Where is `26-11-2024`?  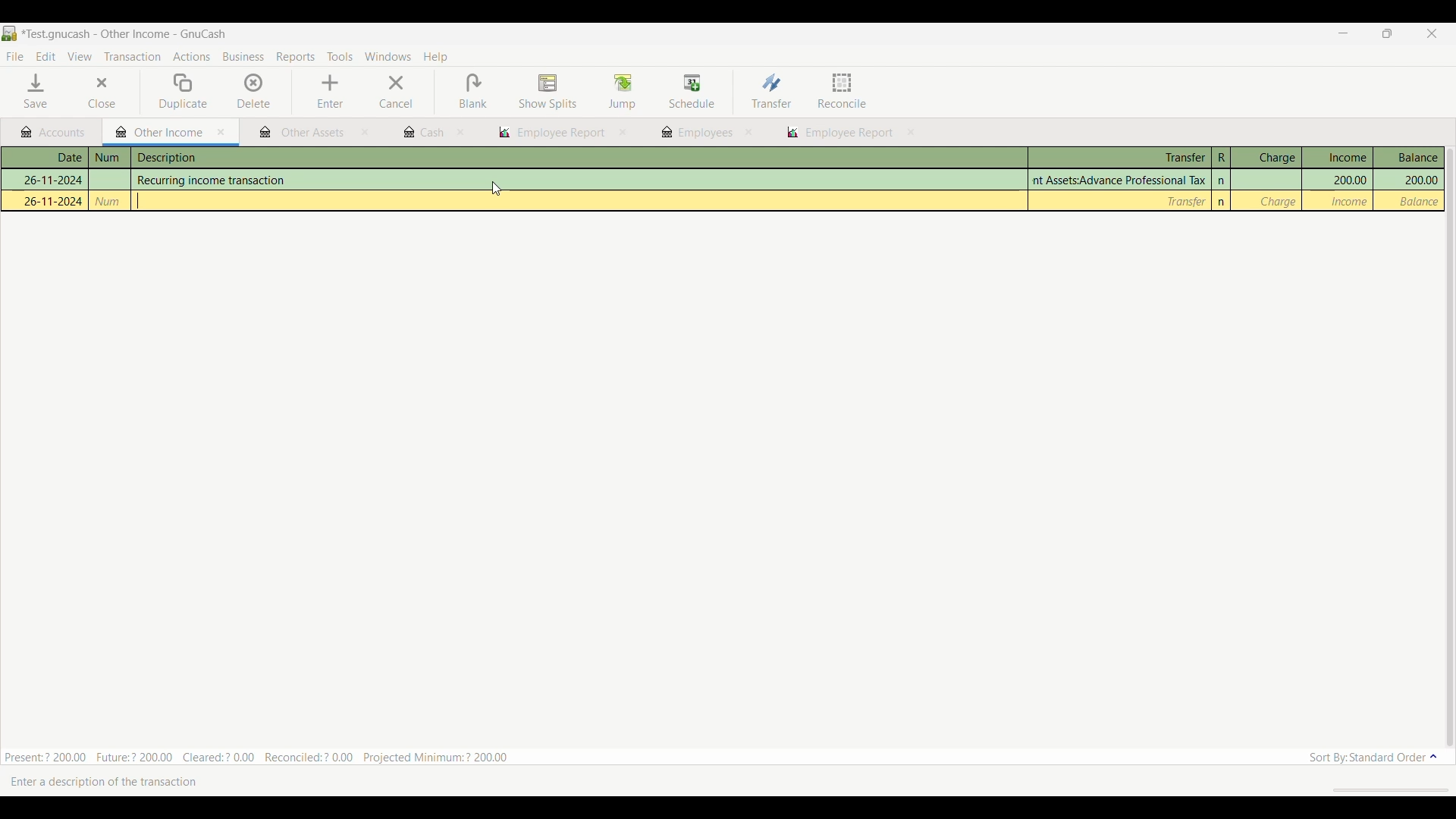
26-11-2024 is located at coordinates (49, 201).